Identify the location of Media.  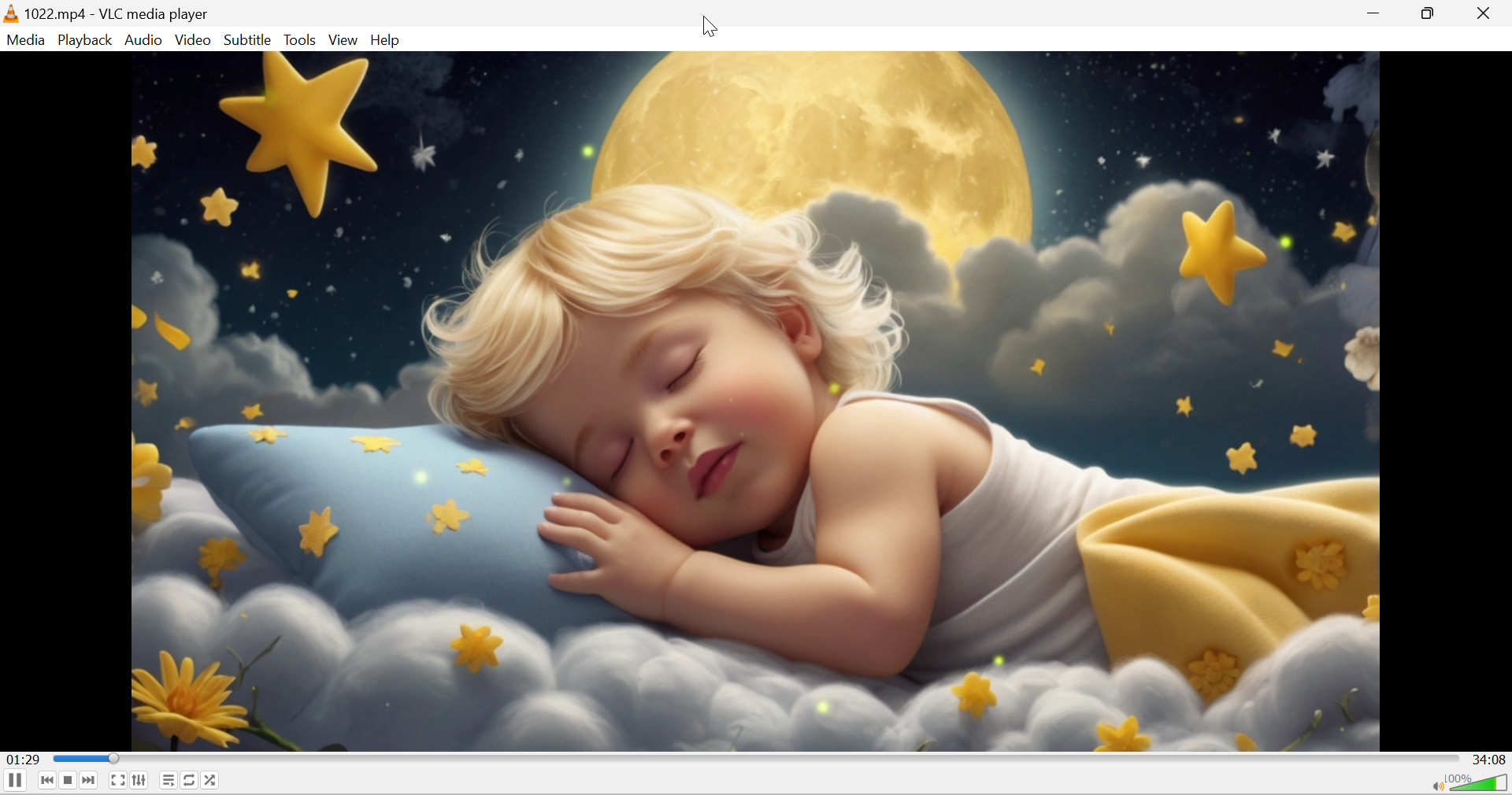
(27, 40).